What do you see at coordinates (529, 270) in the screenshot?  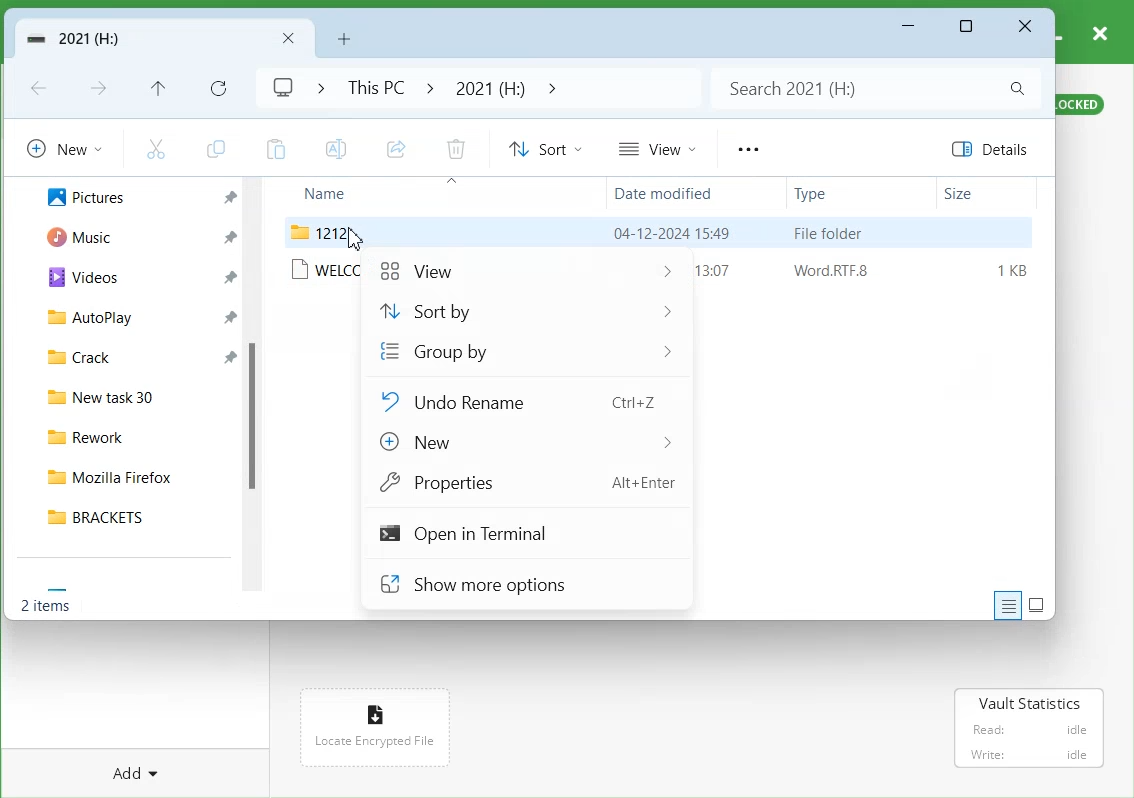 I see `View` at bounding box center [529, 270].